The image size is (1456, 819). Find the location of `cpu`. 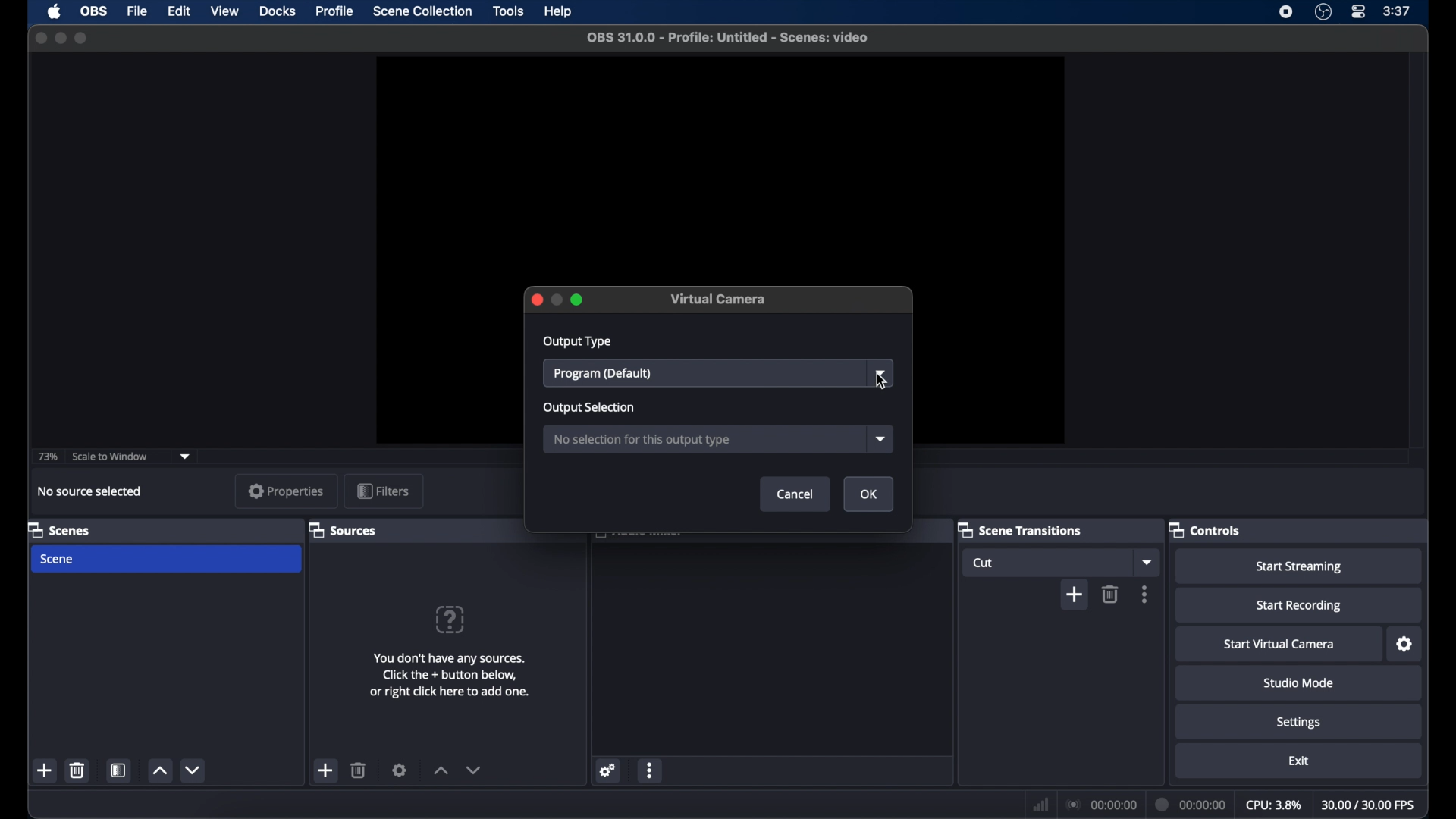

cpu is located at coordinates (1274, 805).